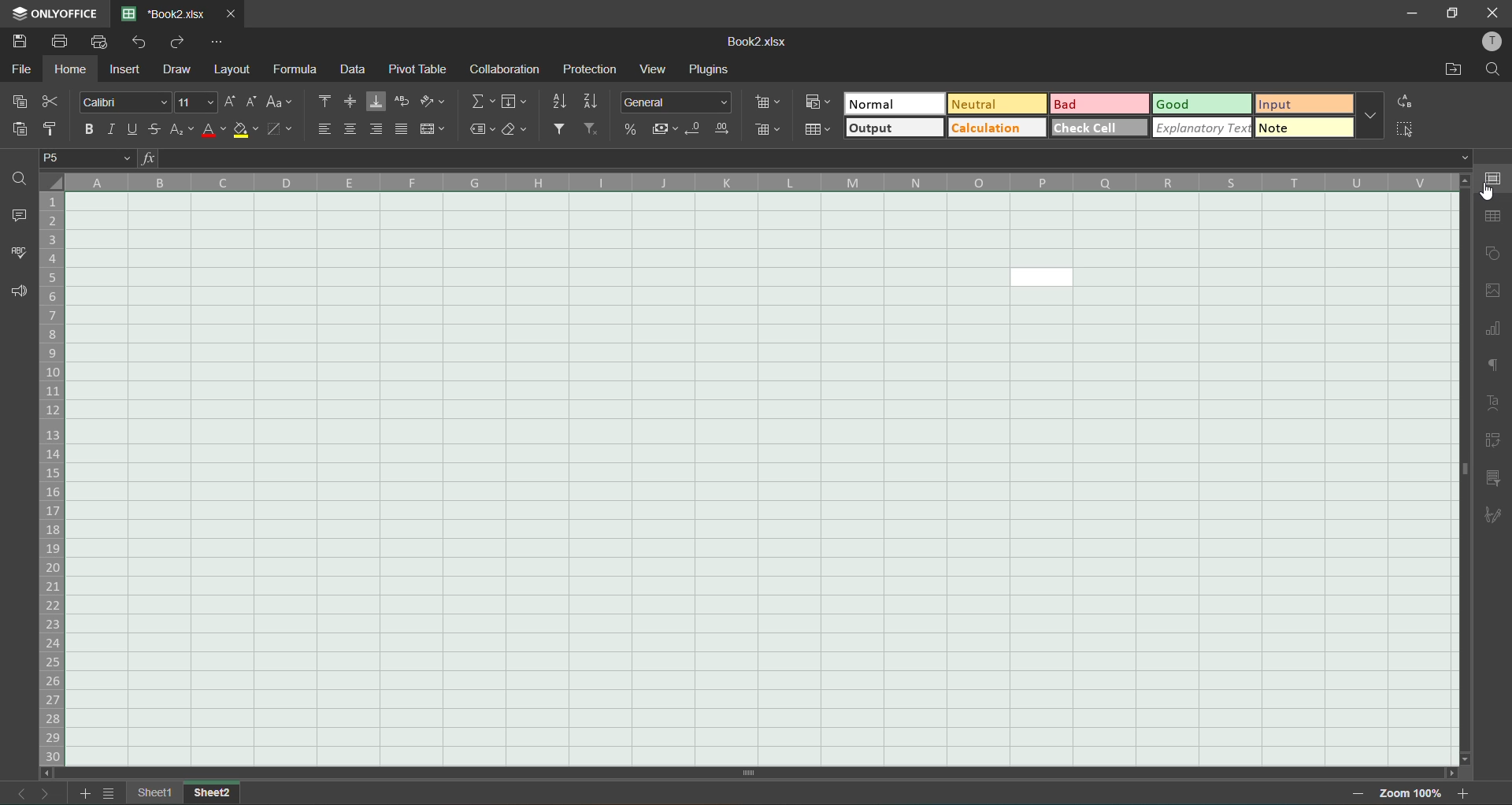 The width and height of the screenshot is (1512, 805). What do you see at coordinates (1403, 103) in the screenshot?
I see `replace` at bounding box center [1403, 103].